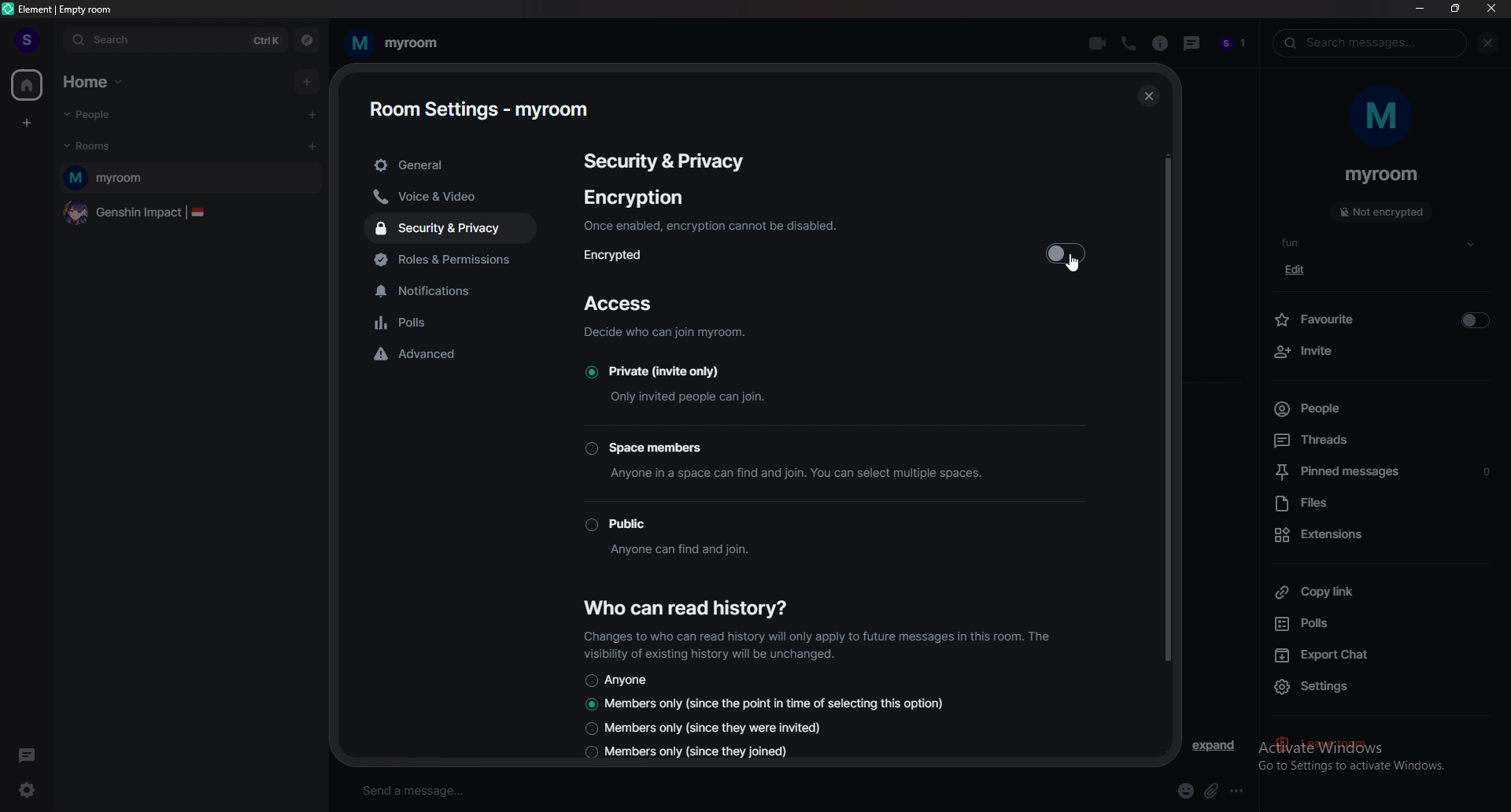 Image resolution: width=1511 pixels, height=812 pixels. What do you see at coordinates (1299, 269) in the screenshot?
I see `edit` at bounding box center [1299, 269].